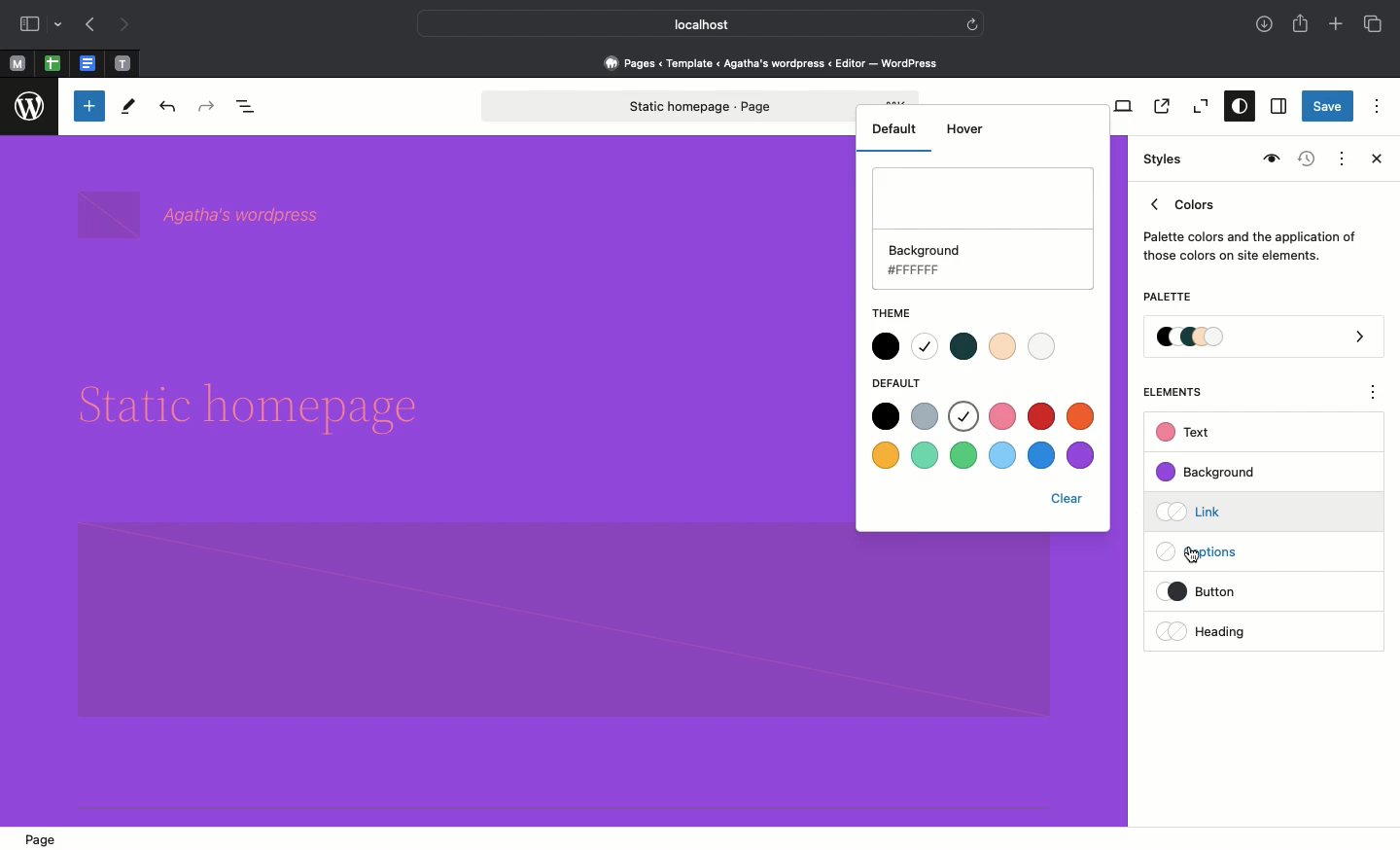  I want to click on wordpress, so click(30, 107).